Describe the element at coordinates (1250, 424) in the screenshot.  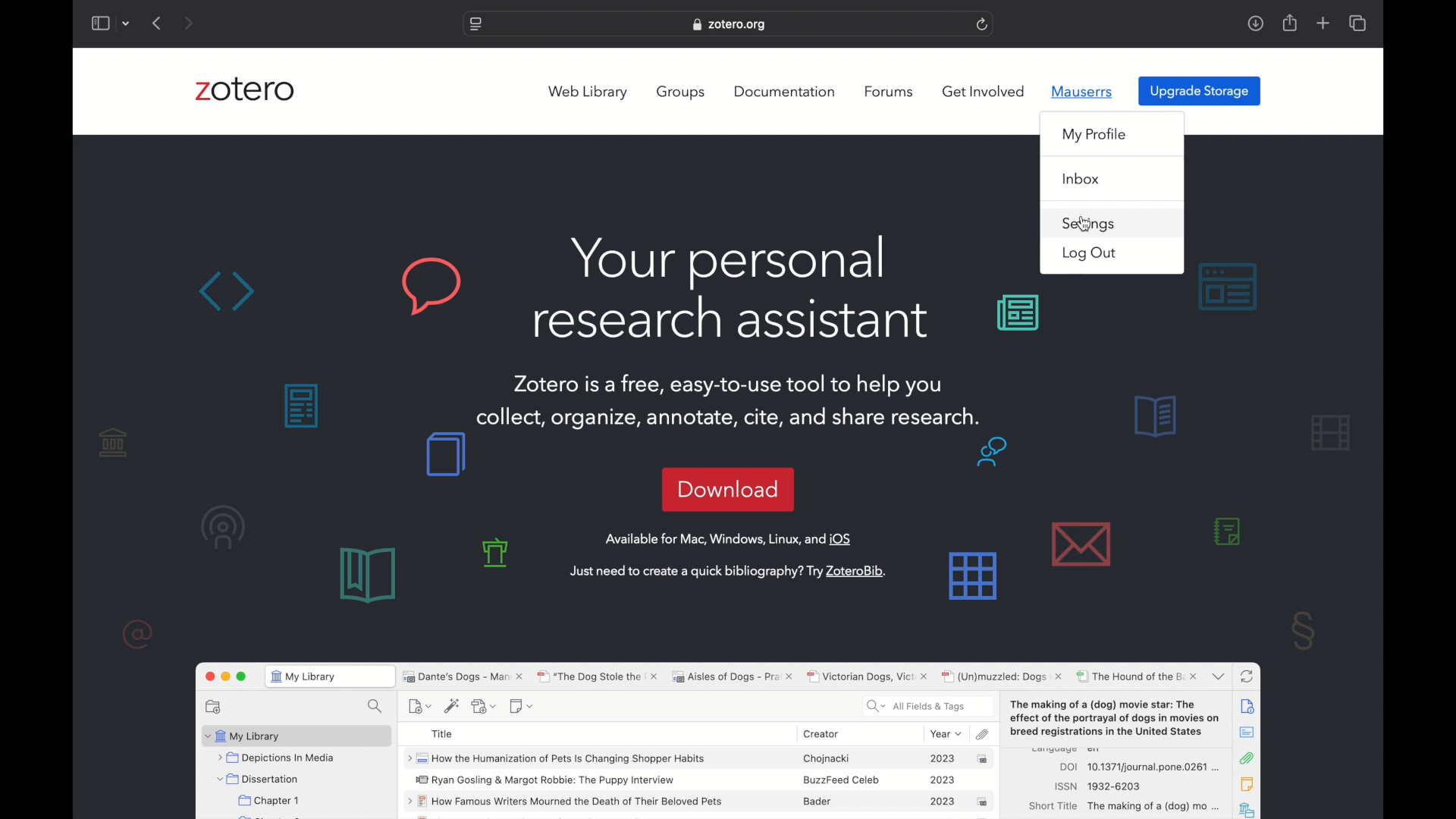
I see `background graphics` at that location.